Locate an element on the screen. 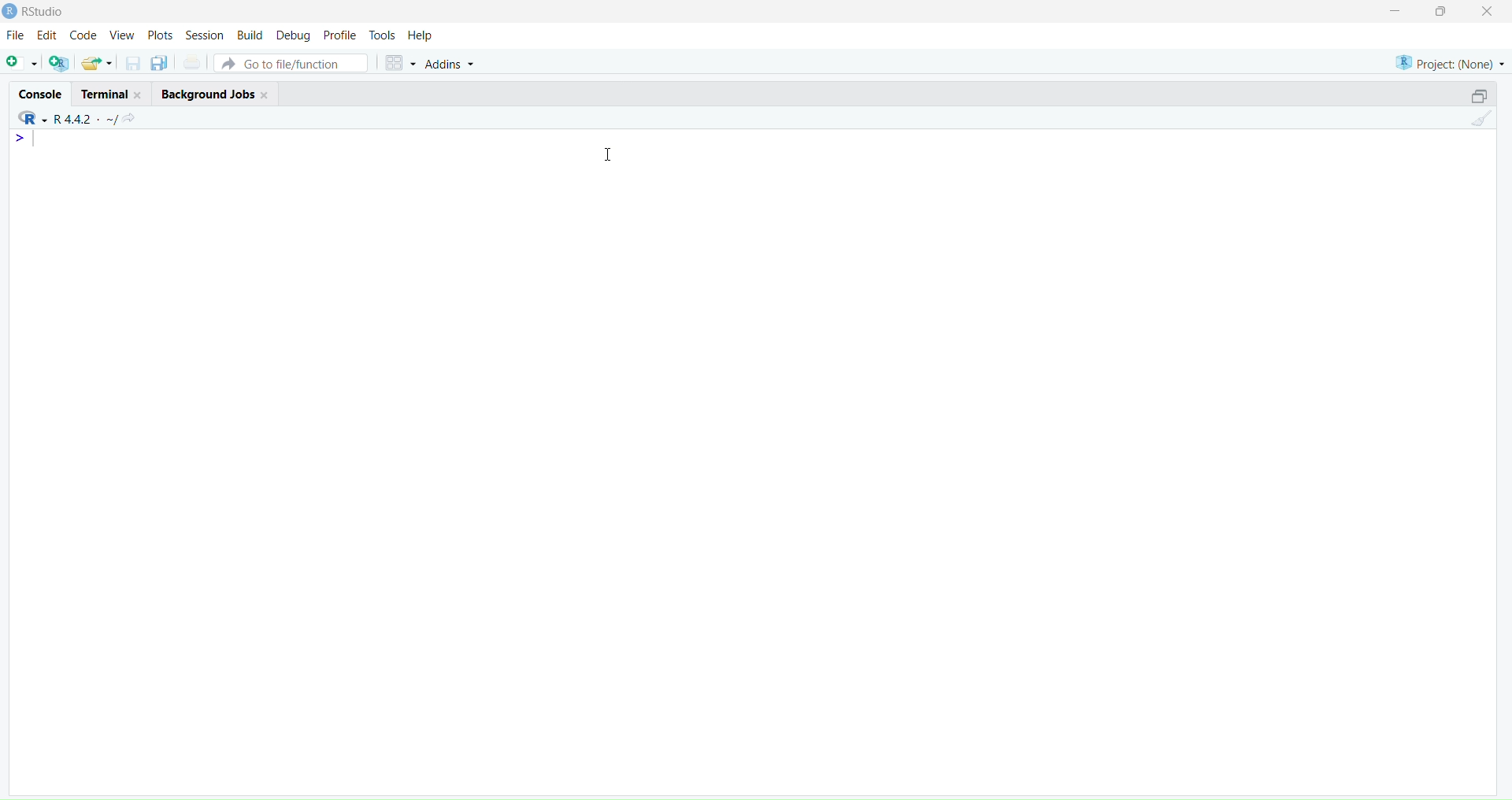 Image resolution: width=1512 pixels, height=800 pixels. maximise is located at coordinates (1444, 11).